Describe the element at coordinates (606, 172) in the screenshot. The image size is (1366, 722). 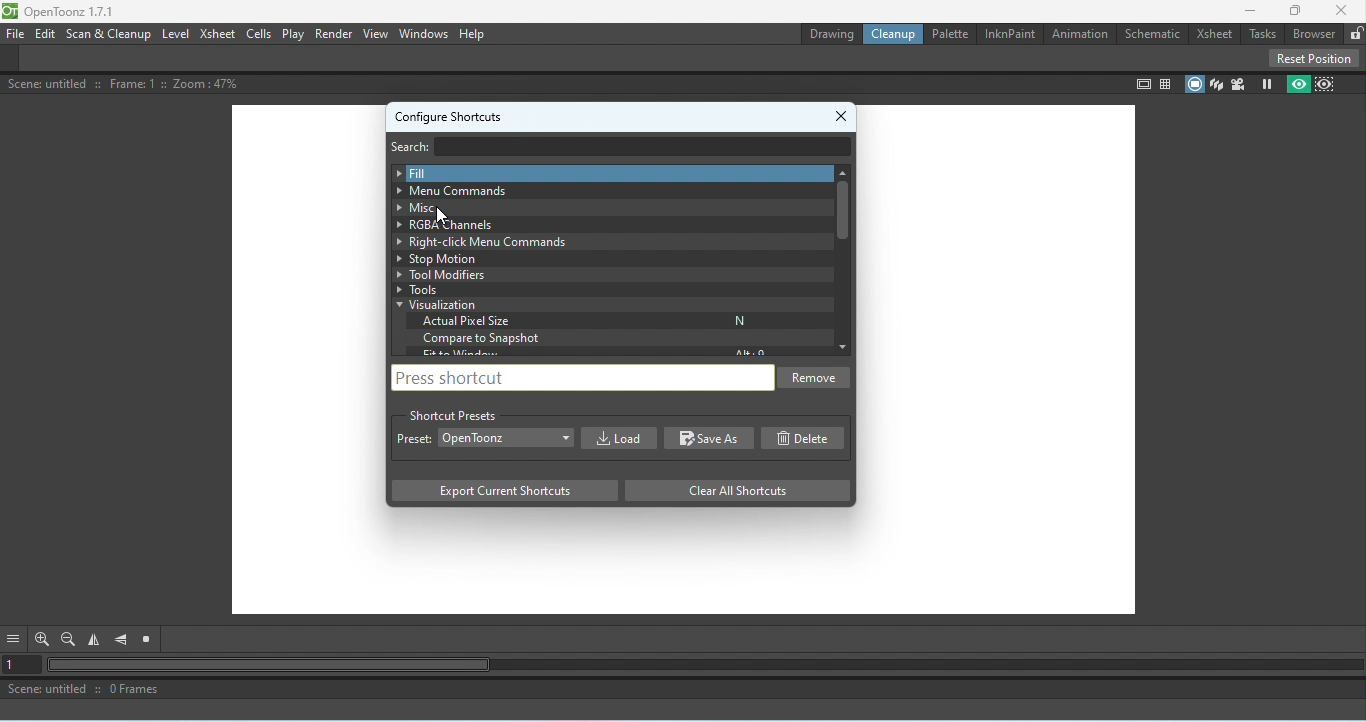
I see `Fill` at that location.